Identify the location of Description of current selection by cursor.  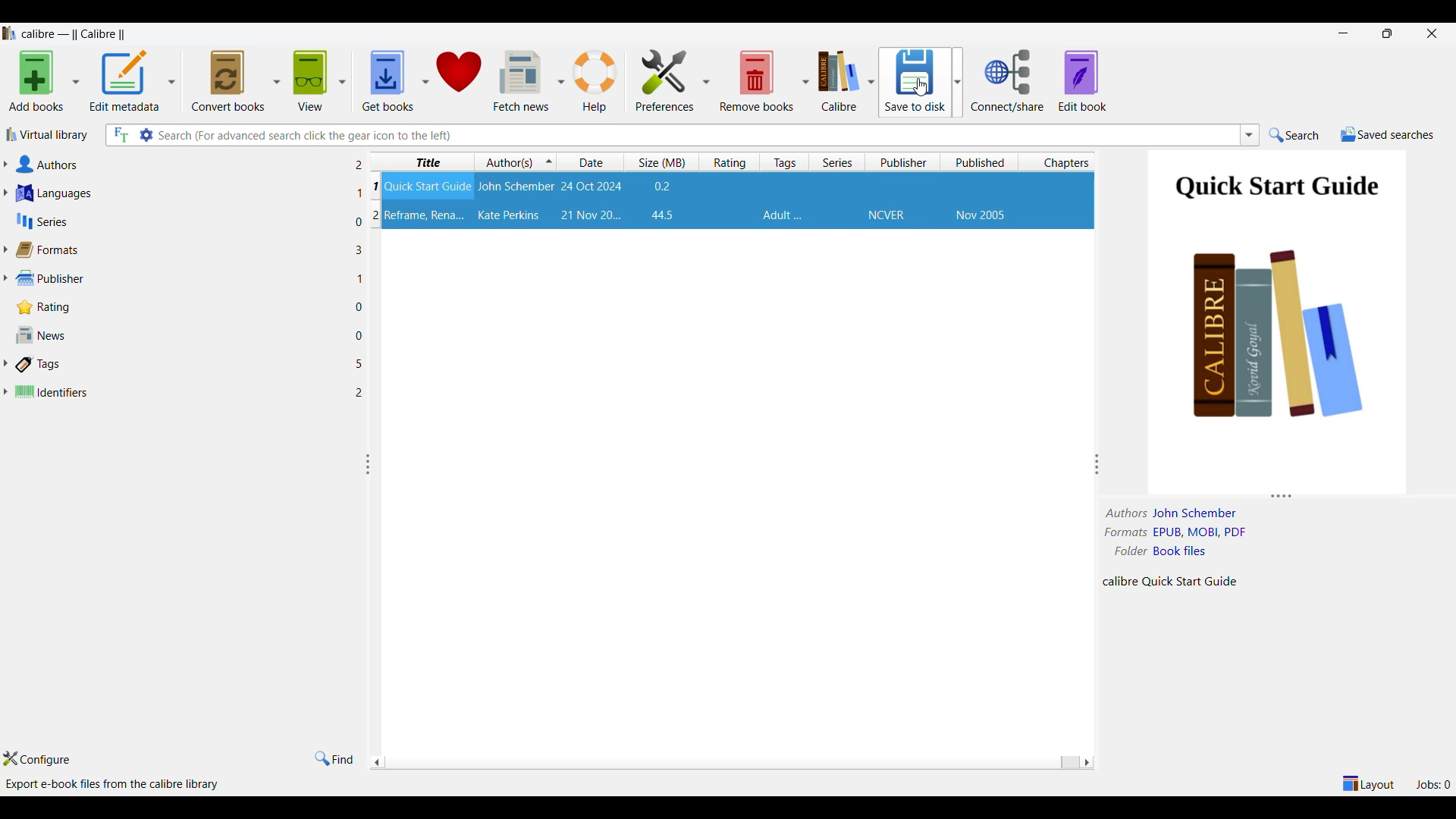
(115, 784).